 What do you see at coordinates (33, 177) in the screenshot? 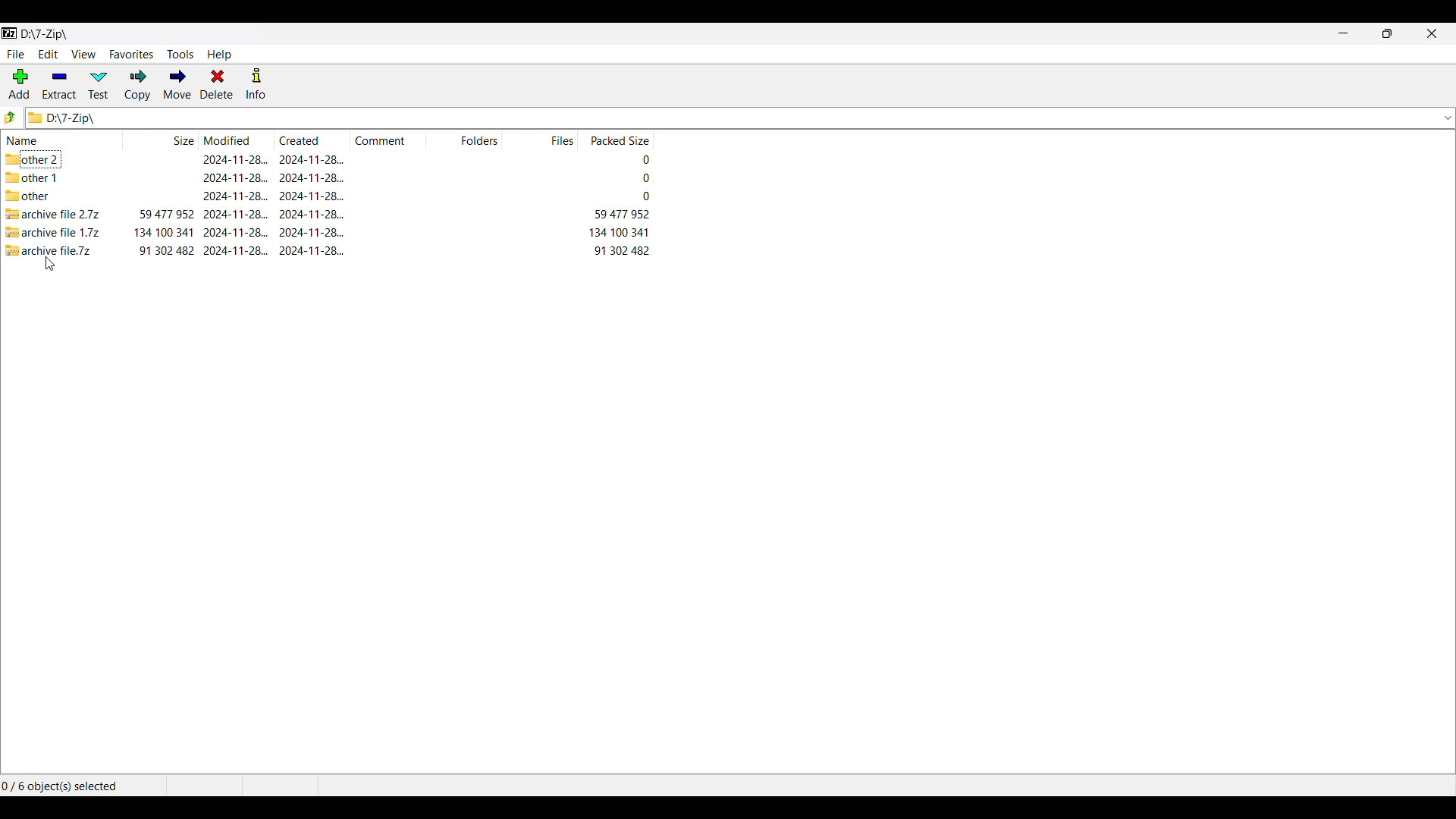
I see `folder` at bounding box center [33, 177].